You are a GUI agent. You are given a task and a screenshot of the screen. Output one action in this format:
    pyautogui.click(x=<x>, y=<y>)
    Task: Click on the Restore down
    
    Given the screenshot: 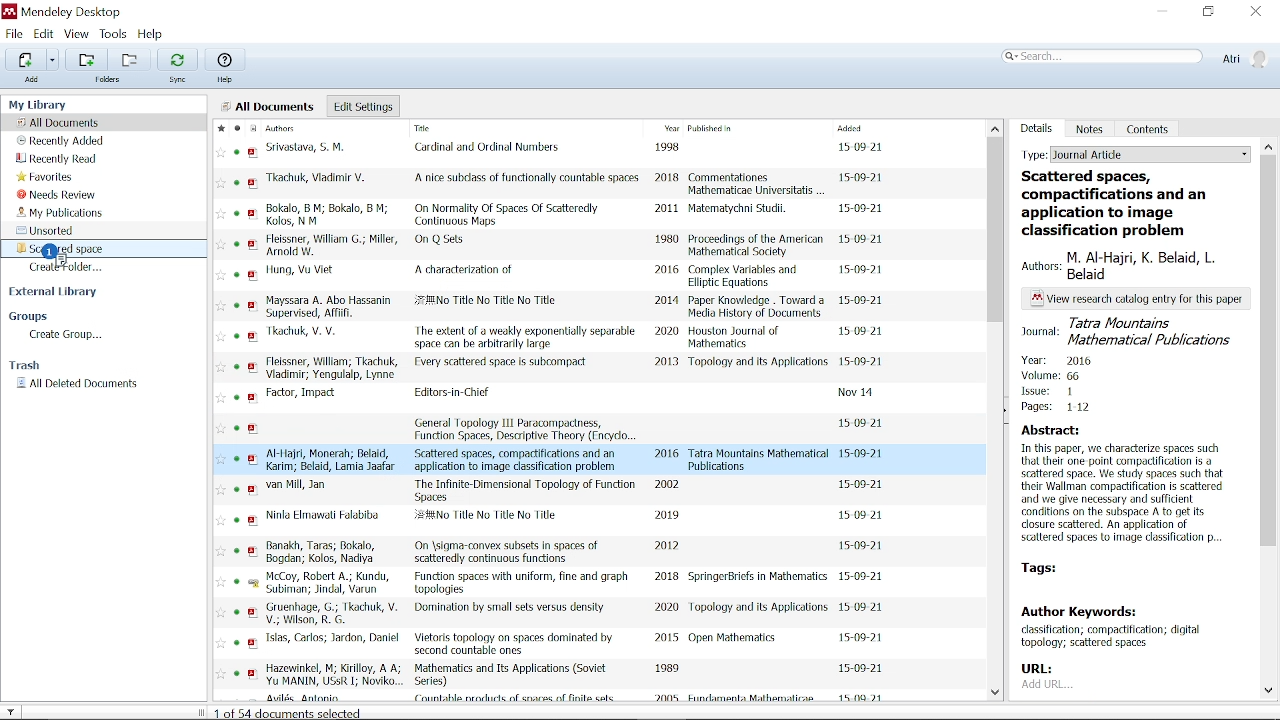 What is the action you would take?
    pyautogui.click(x=1208, y=13)
    